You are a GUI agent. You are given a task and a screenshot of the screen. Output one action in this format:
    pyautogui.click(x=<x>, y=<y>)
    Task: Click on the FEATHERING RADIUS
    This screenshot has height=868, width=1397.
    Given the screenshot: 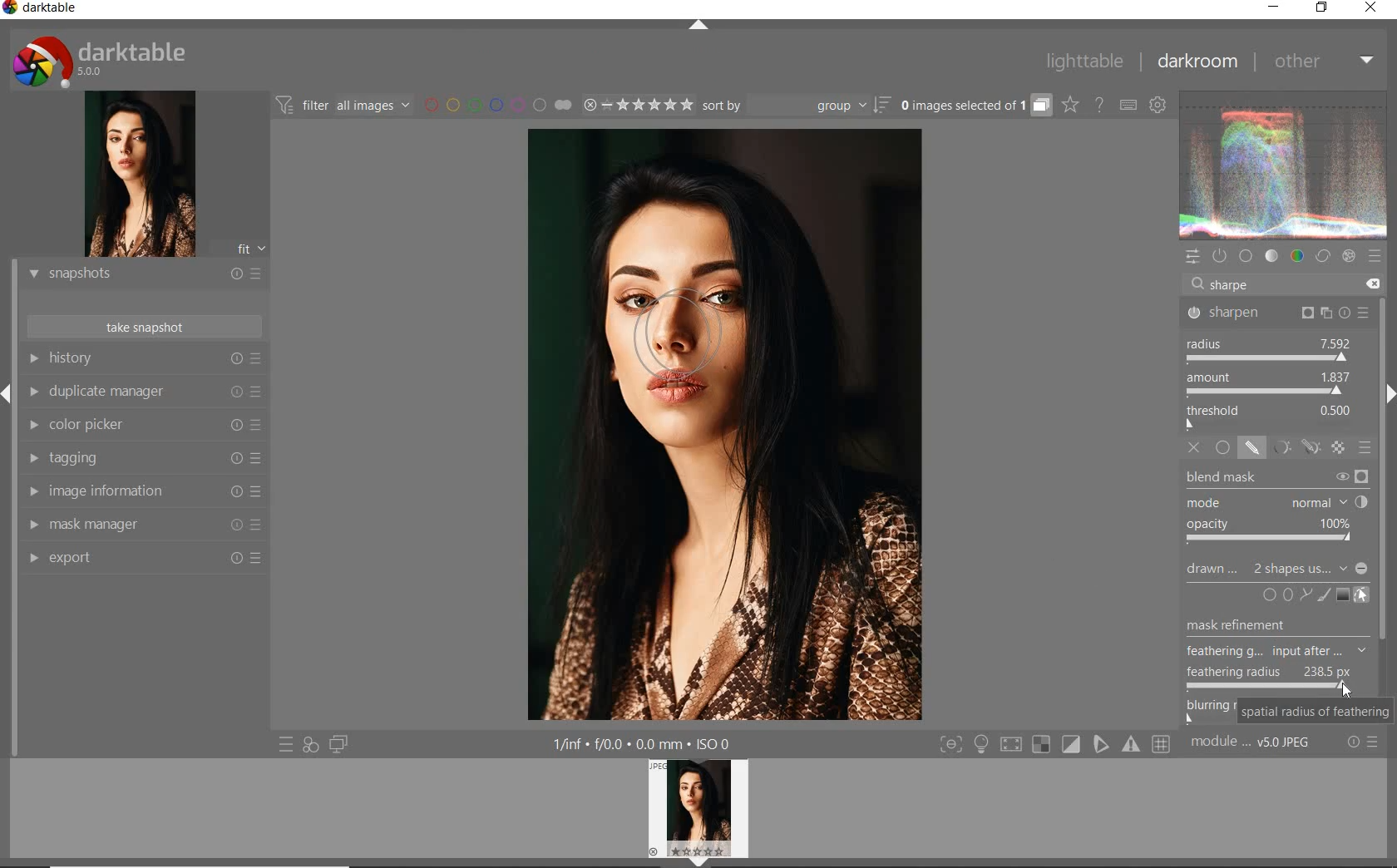 What is the action you would take?
    pyautogui.click(x=1276, y=679)
    